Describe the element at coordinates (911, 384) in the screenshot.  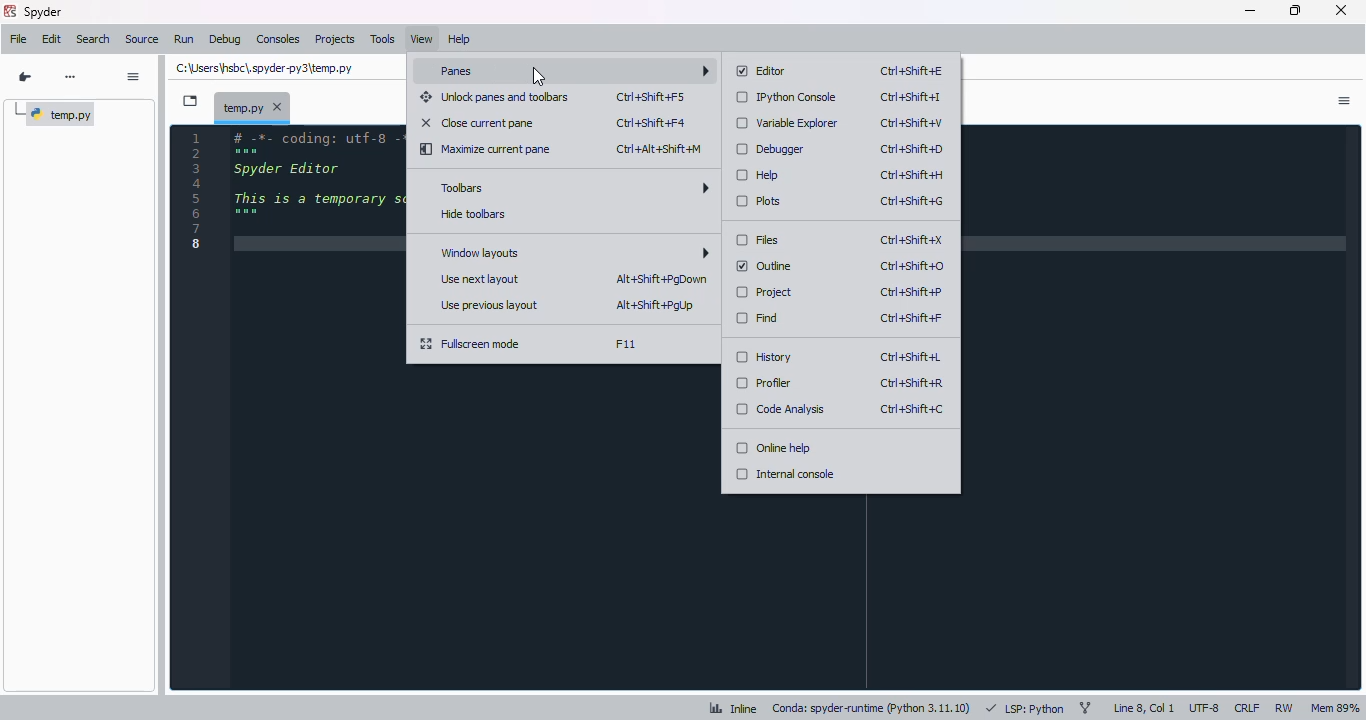
I see `shortcut for profiler` at that location.